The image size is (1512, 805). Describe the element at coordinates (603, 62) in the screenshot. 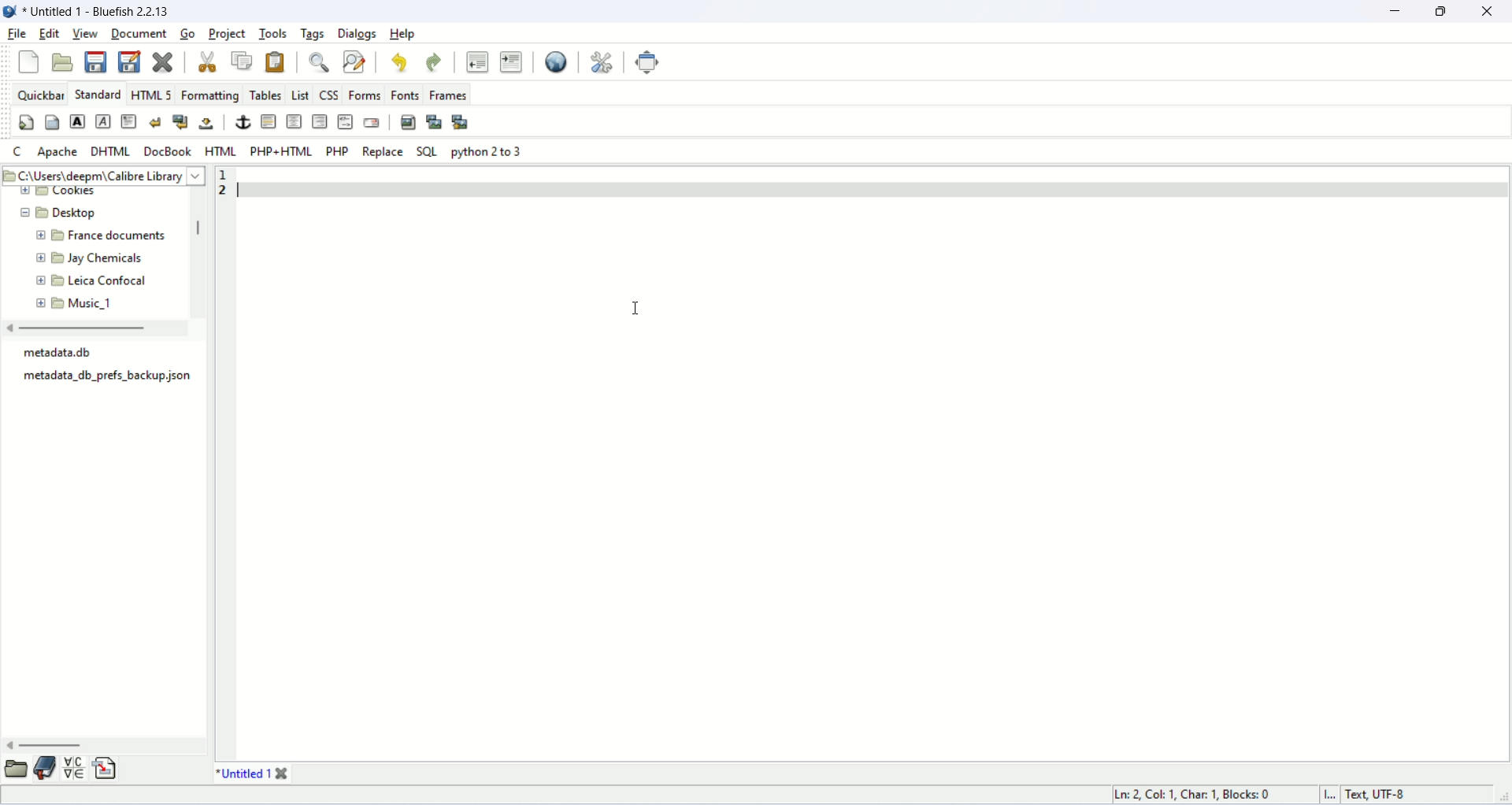

I see `preferences` at that location.